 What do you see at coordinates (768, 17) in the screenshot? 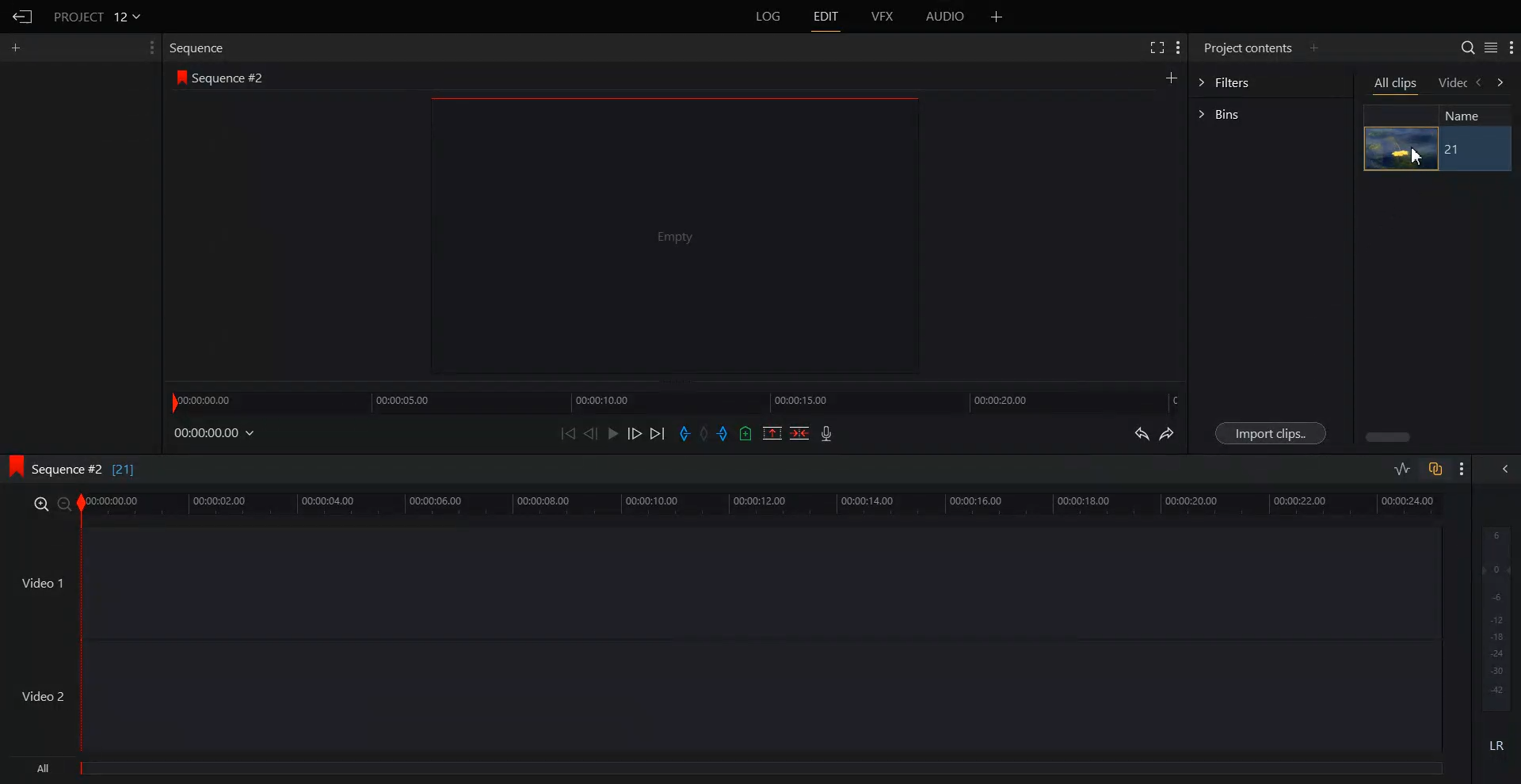
I see `Log` at bounding box center [768, 17].